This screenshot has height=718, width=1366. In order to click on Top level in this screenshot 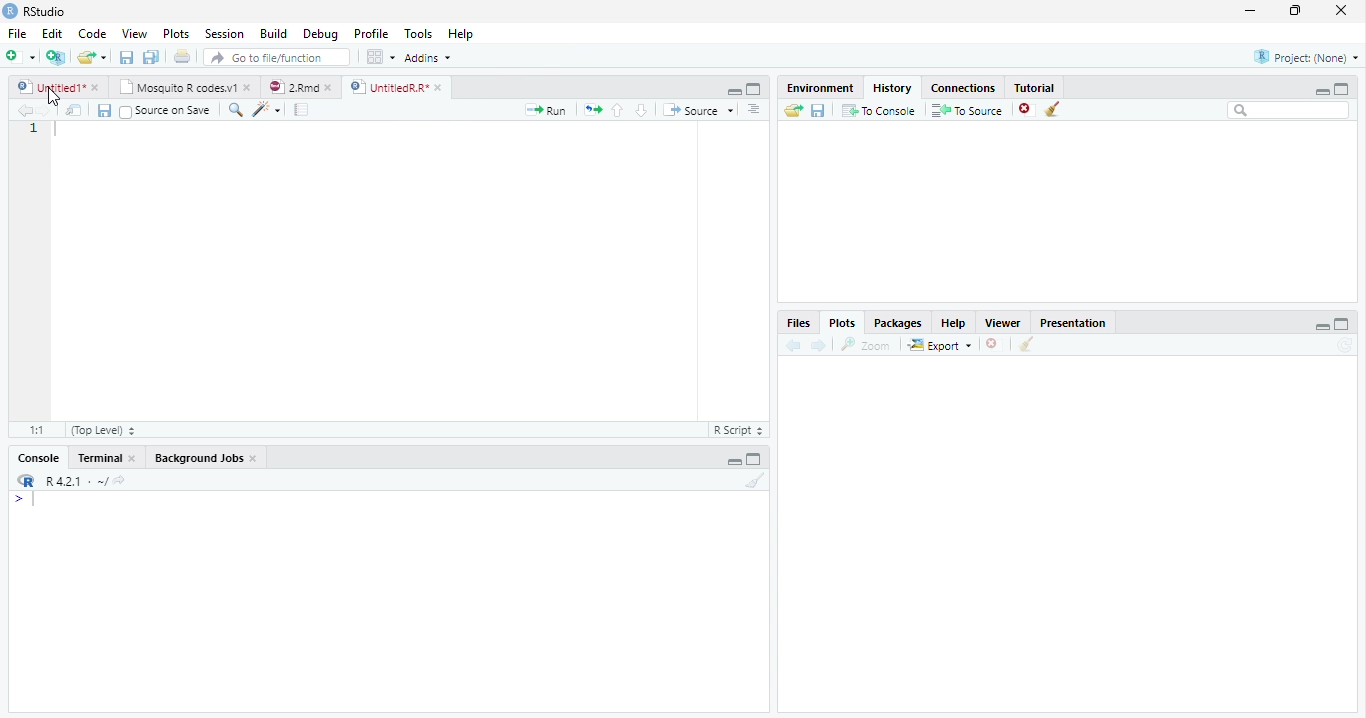, I will do `click(102, 430)`.